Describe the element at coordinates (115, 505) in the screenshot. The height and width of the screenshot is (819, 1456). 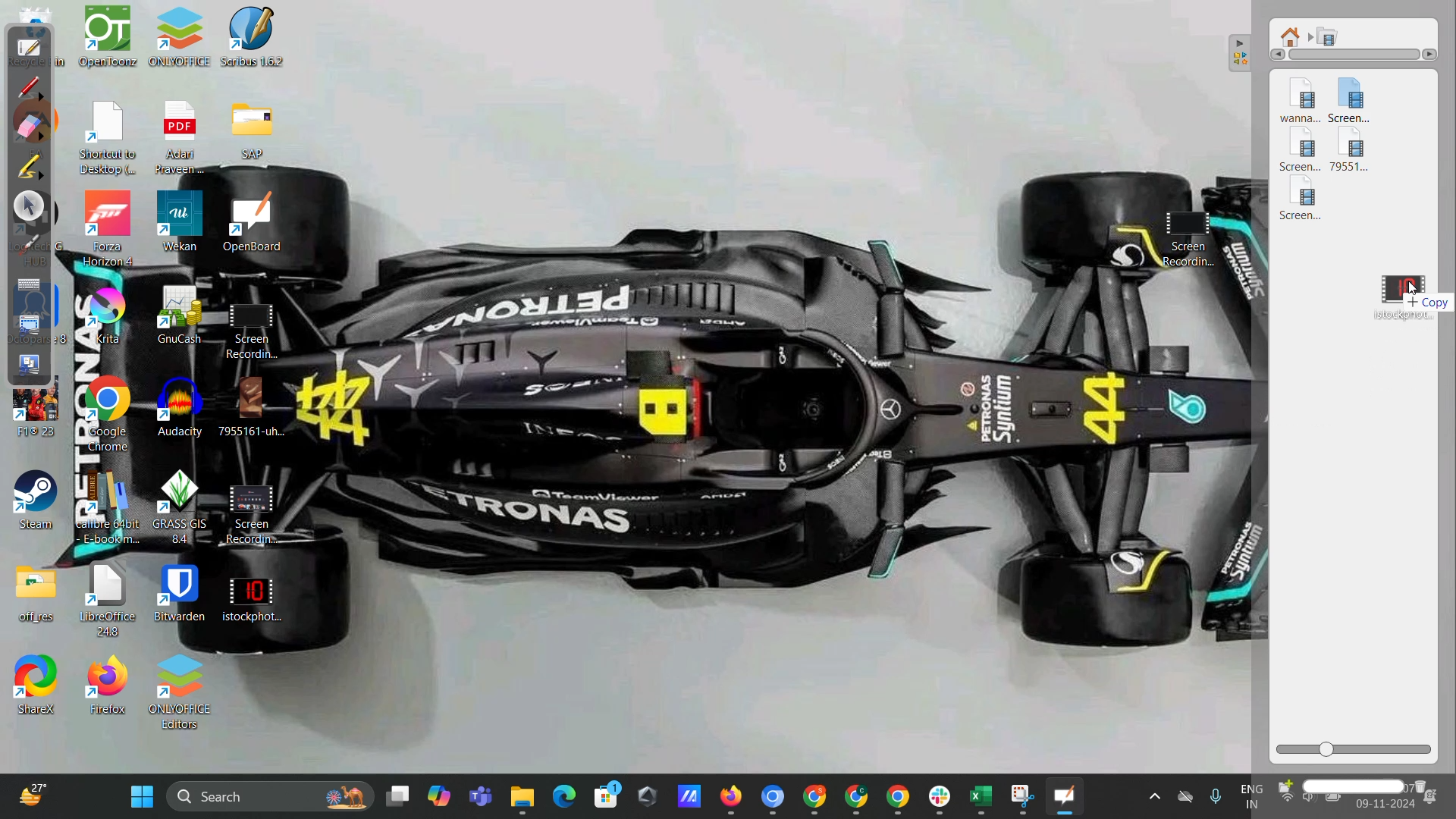
I see `Calibre 64 bit E-book m...` at that location.